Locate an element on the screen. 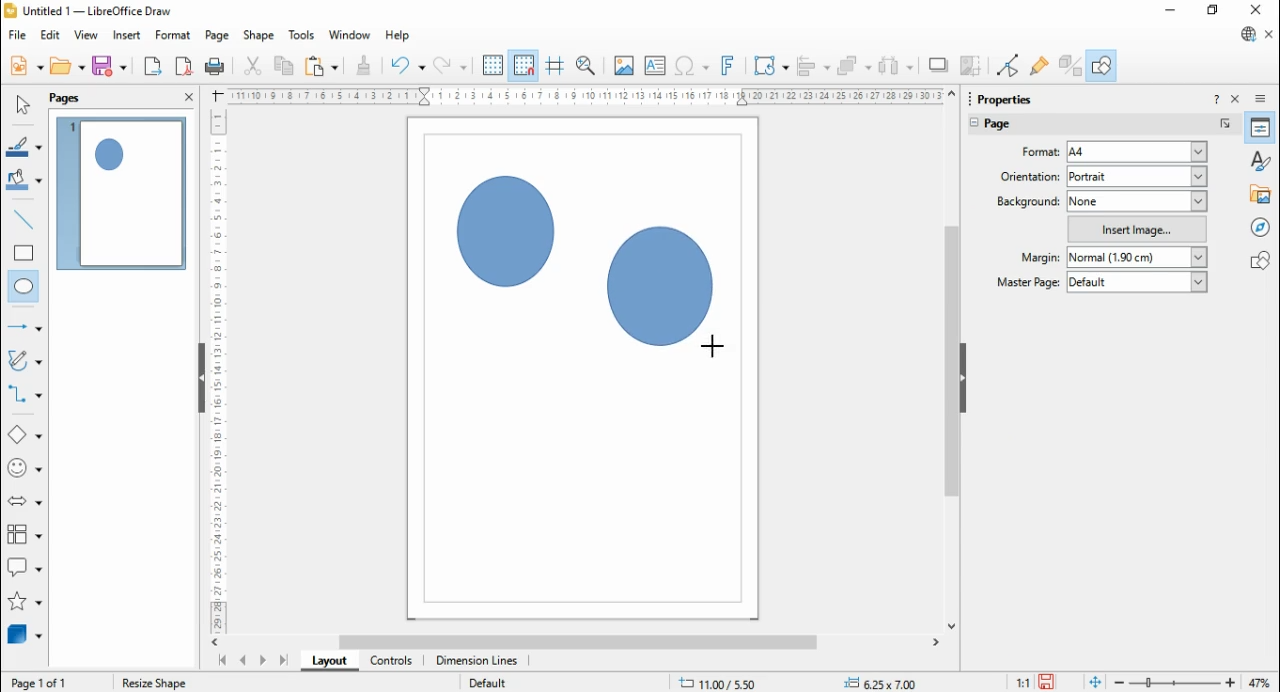 This screenshot has height=692, width=1280. arrange is located at coordinates (855, 66).